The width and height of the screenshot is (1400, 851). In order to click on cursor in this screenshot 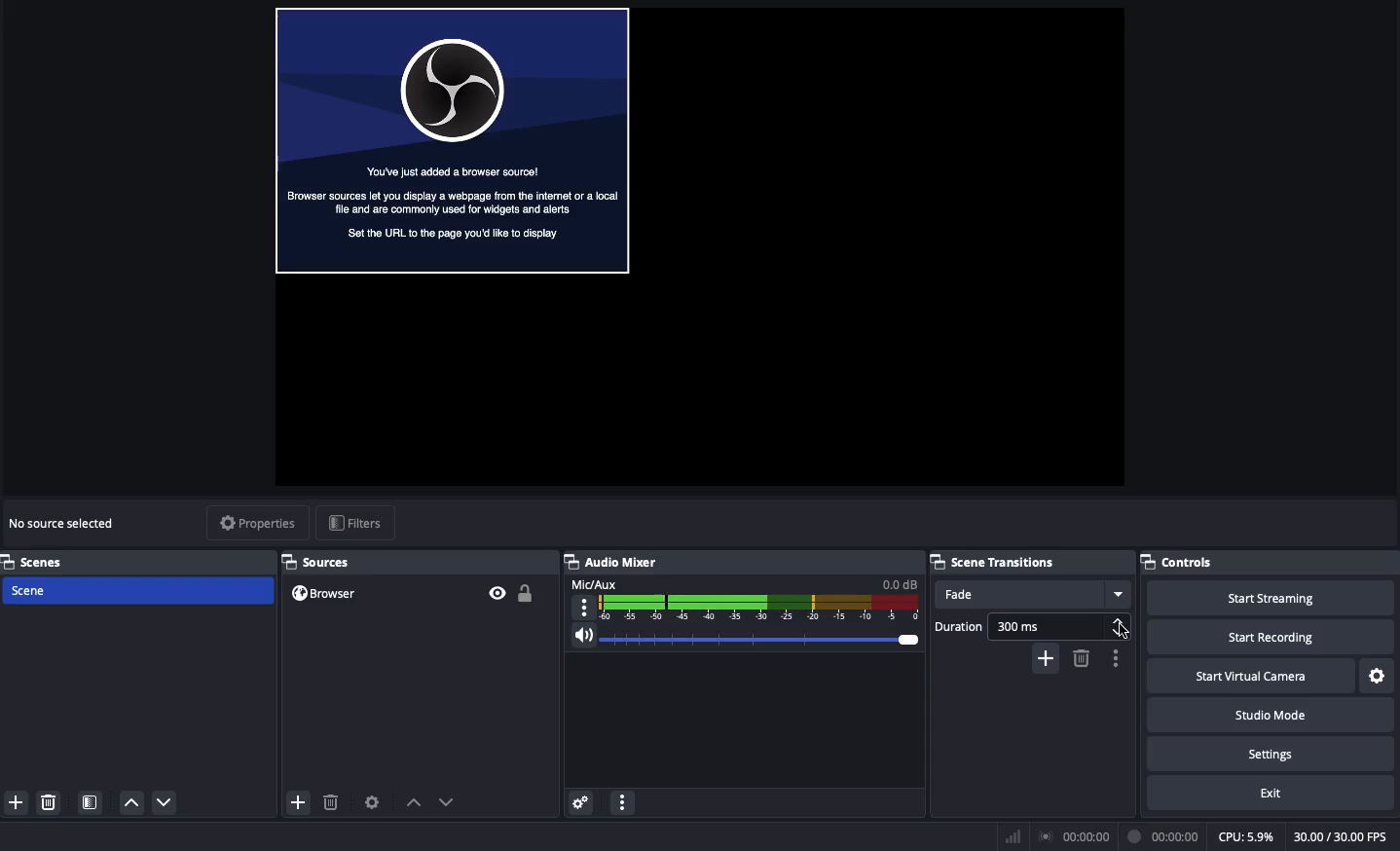, I will do `click(1125, 634)`.